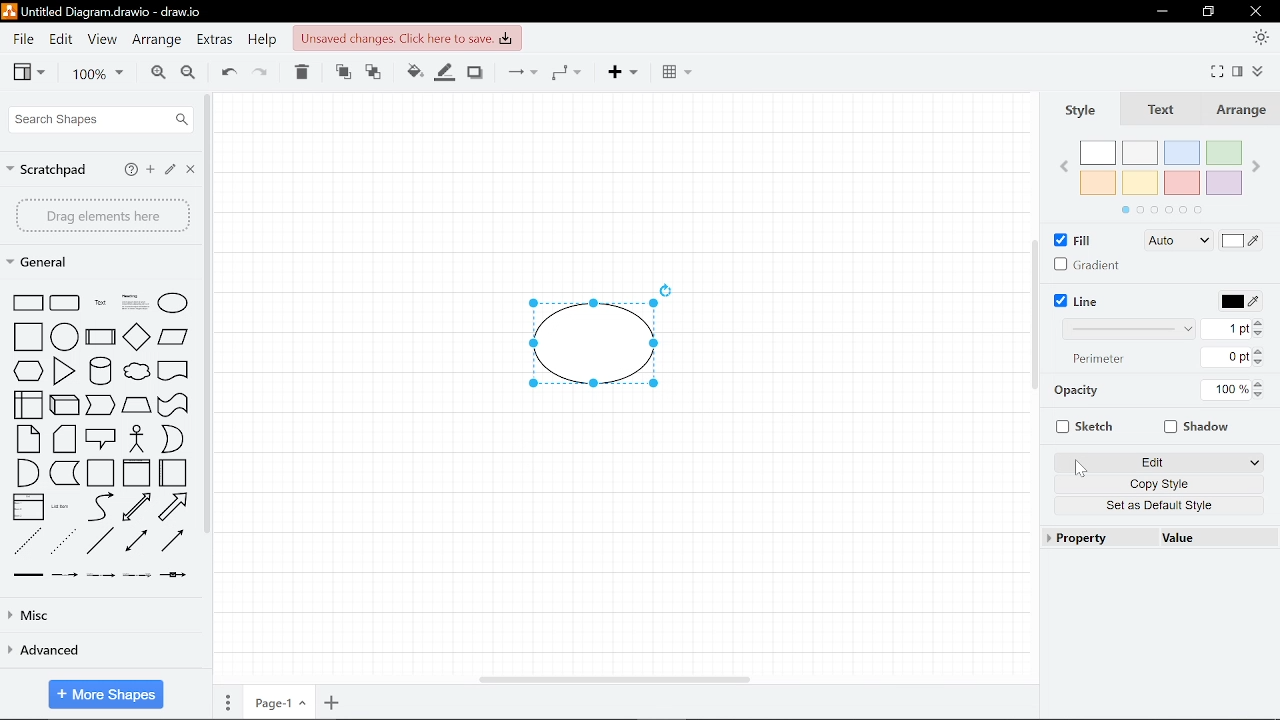  I want to click on cloud, so click(136, 370).